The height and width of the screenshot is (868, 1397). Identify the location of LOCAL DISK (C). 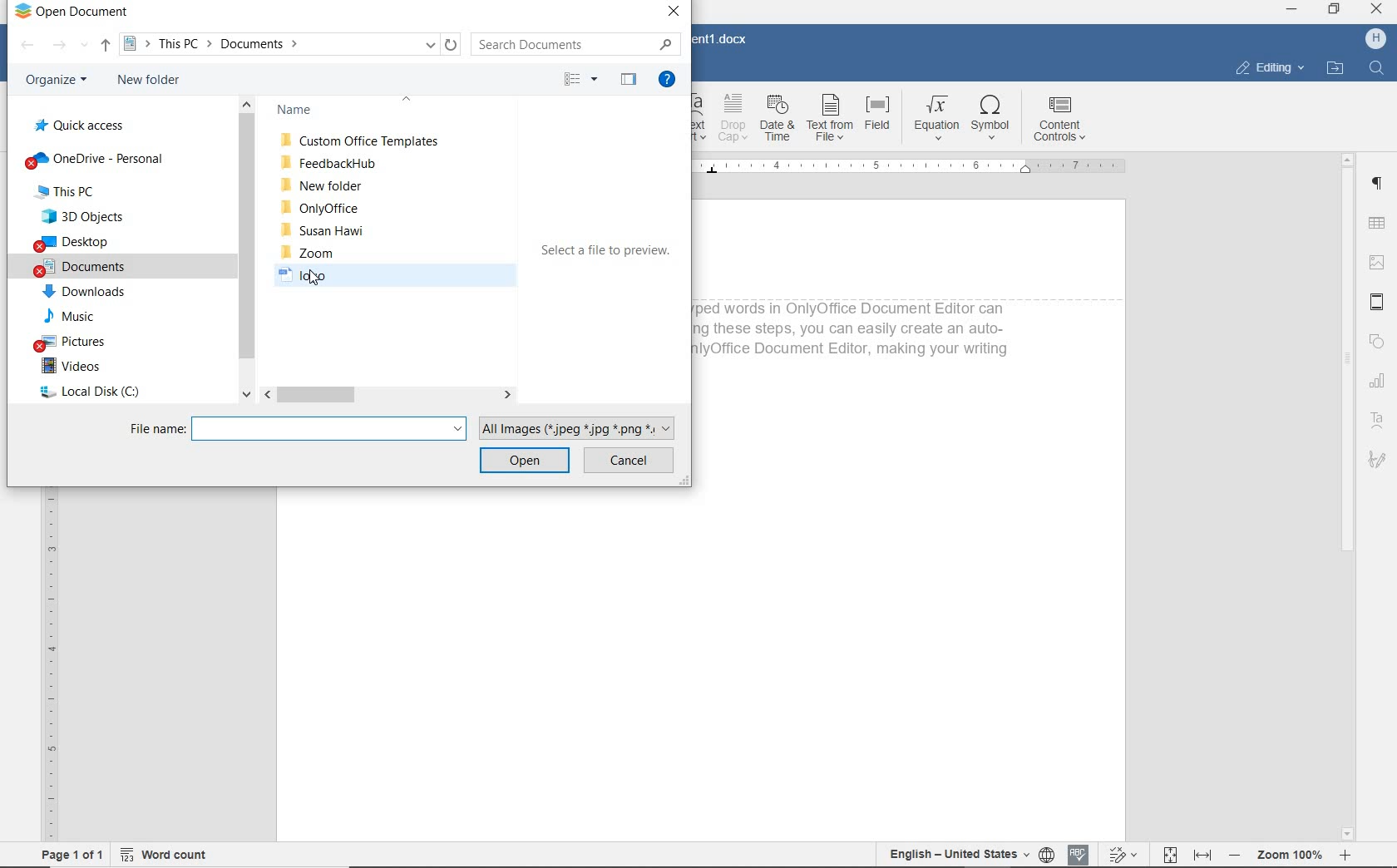
(88, 394).